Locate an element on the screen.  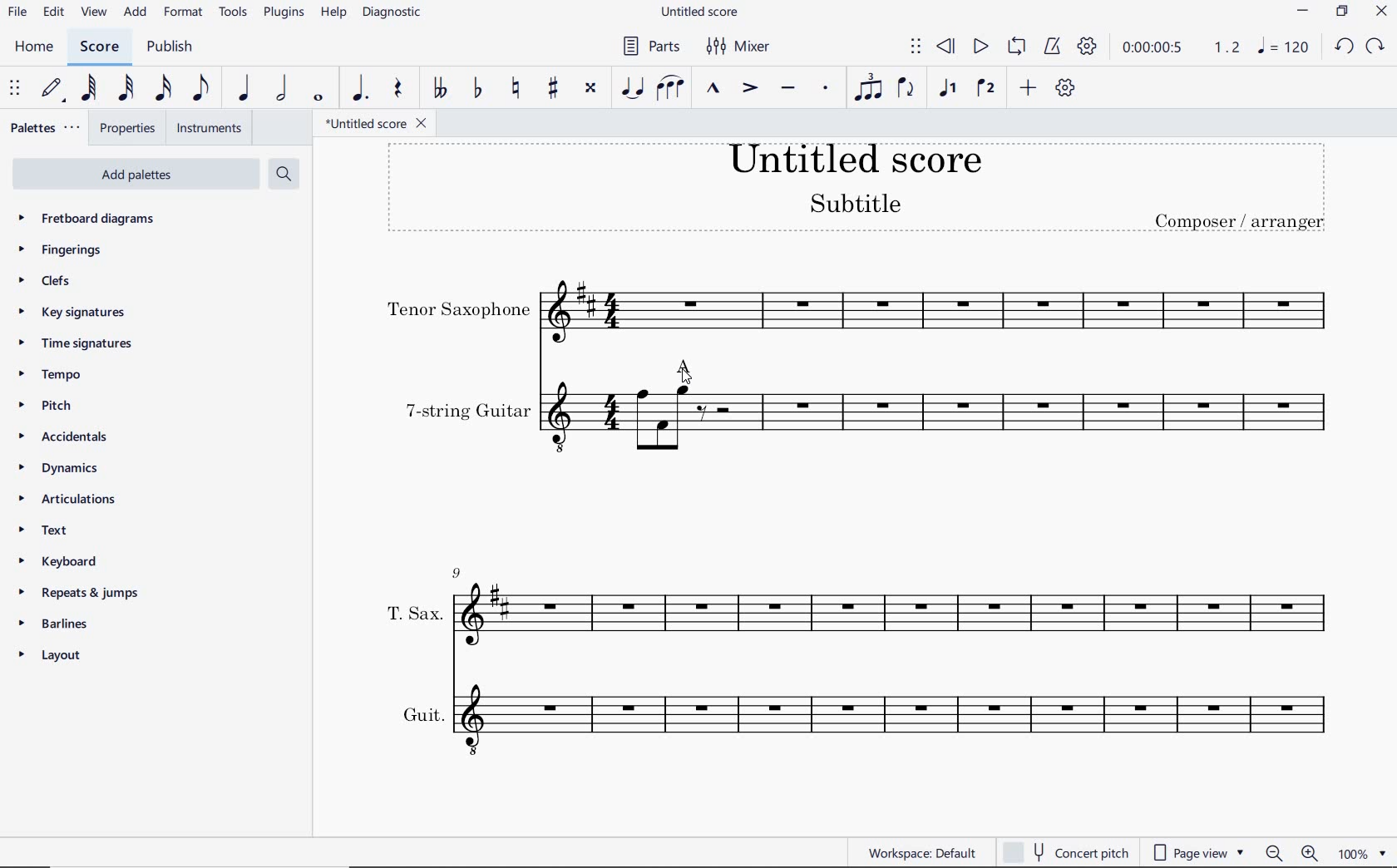
cursor on selected chord  is located at coordinates (684, 377).